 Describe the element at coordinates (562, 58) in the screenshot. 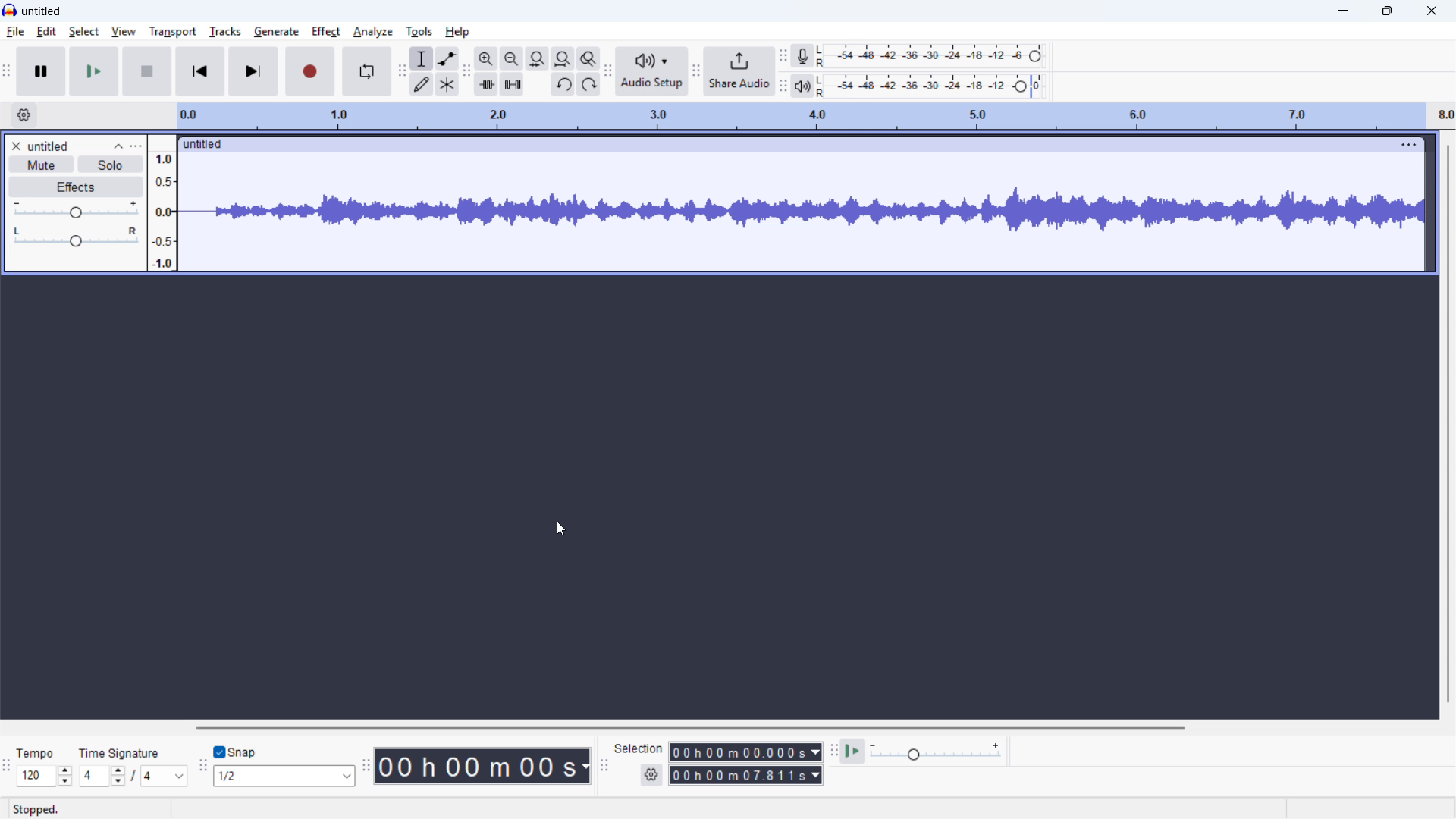

I see `fit project to width` at that location.